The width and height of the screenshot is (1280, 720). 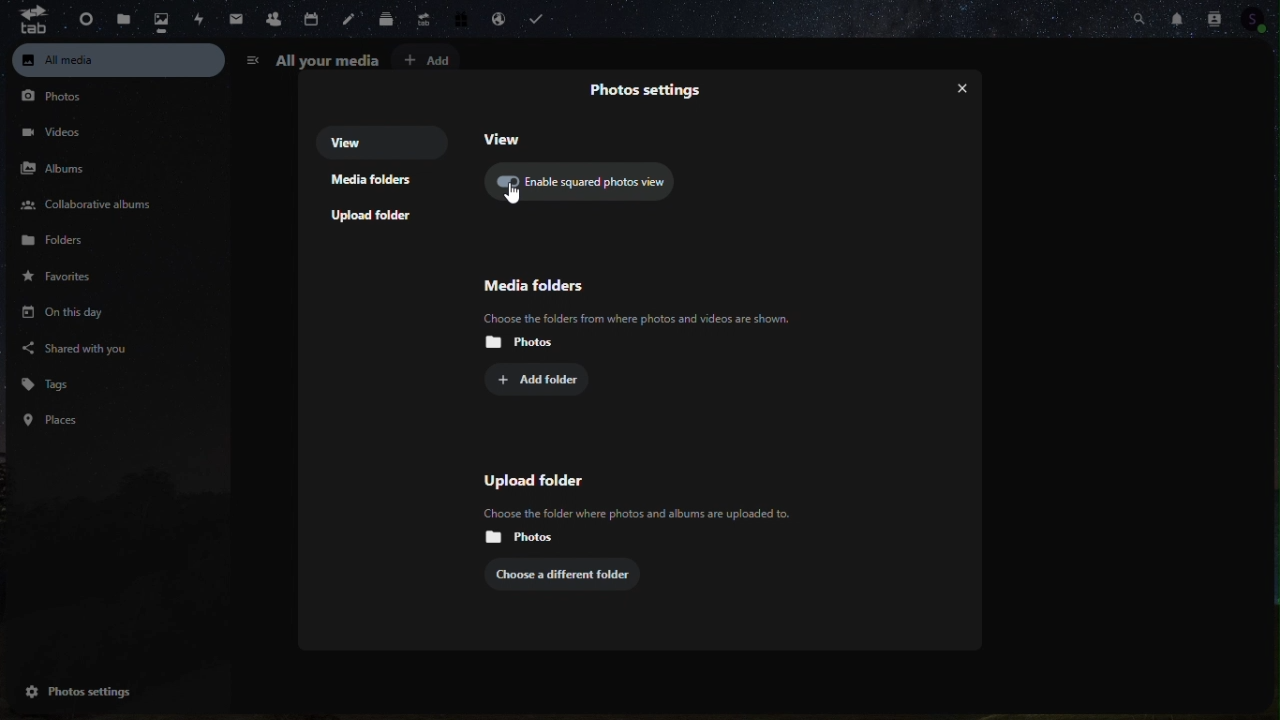 I want to click on Folders, so click(x=70, y=245).